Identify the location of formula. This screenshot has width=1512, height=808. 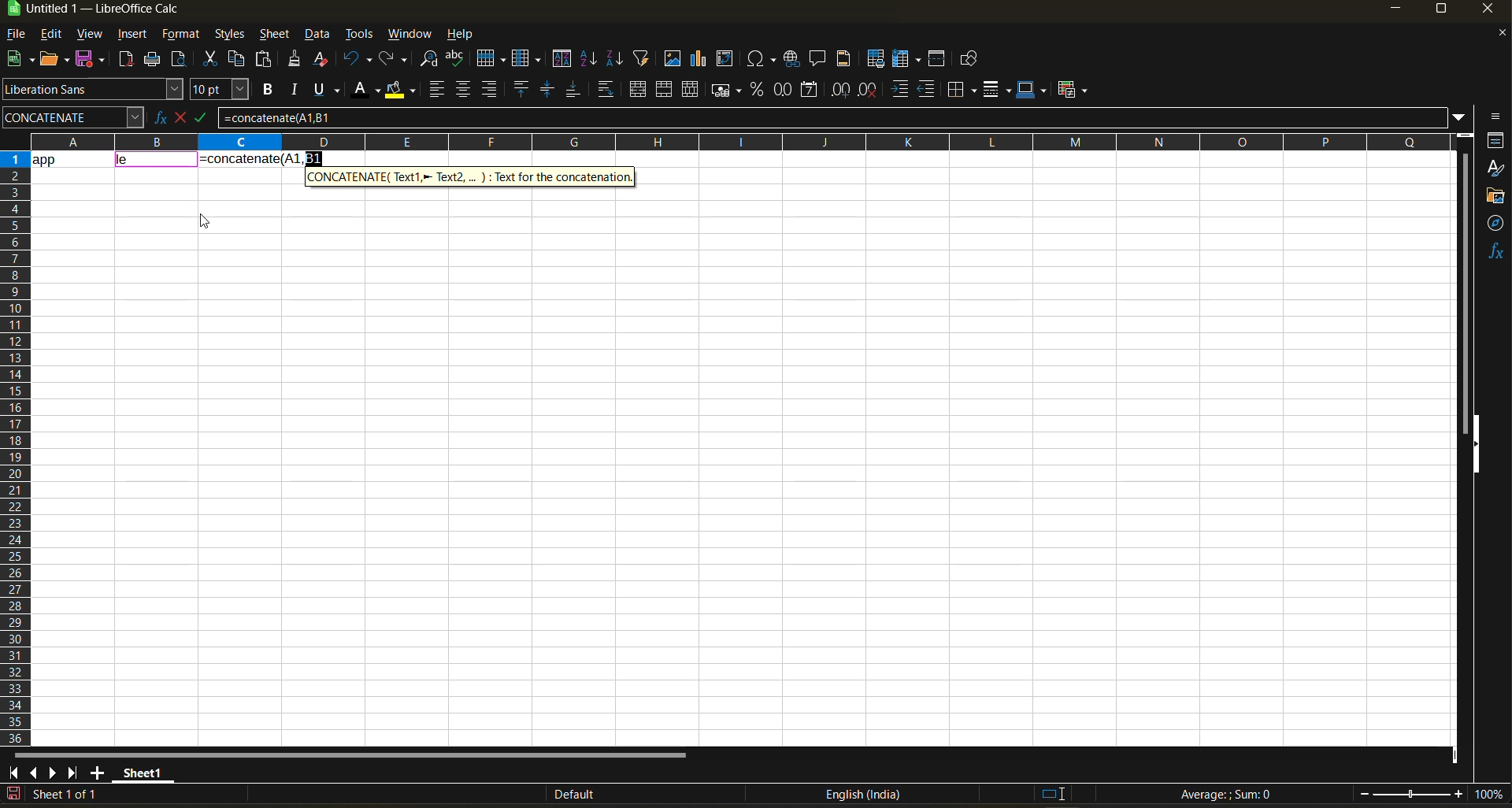
(207, 120).